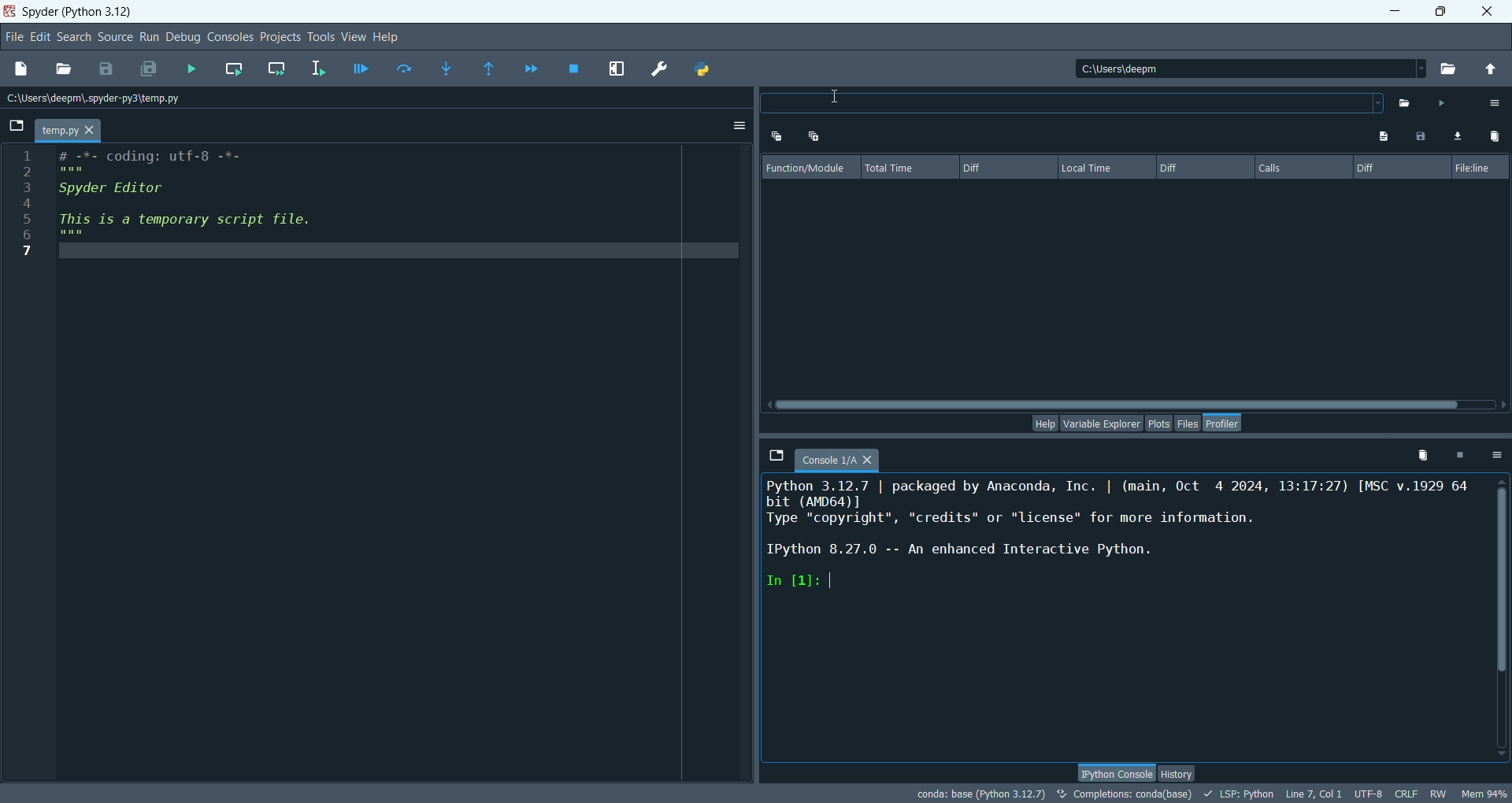  What do you see at coordinates (836, 461) in the screenshot?
I see `console` at bounding box center [836, 461].